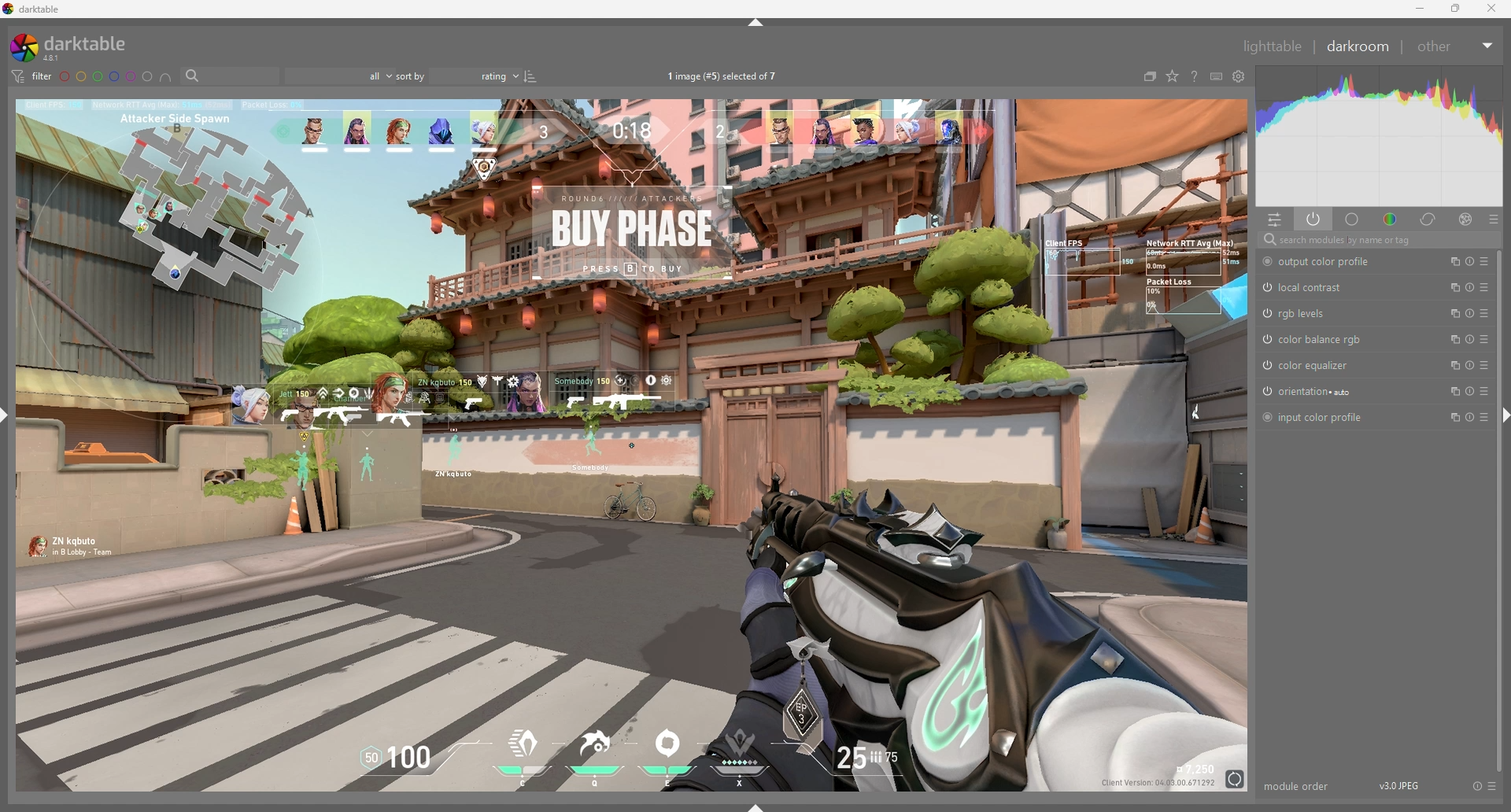 This screenshot has height=812, width=1511. What do you see at coordinates (1240, 76) in the screenshot?
I see `show global preferences` at bounding box center [1240, 76].